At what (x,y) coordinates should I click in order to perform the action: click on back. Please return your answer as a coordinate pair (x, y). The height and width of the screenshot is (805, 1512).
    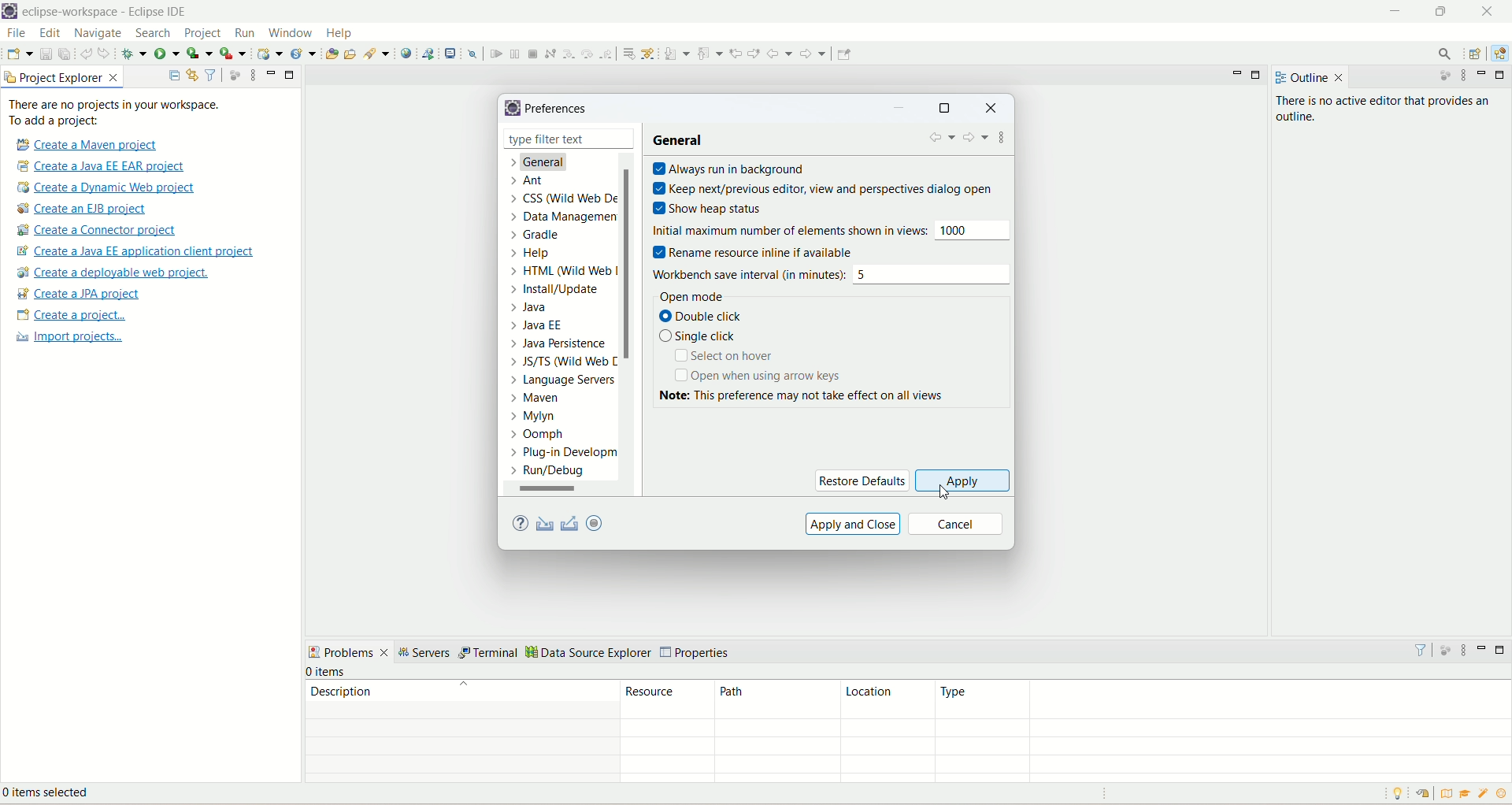
    Looking at the image, I should click on (780, 54).